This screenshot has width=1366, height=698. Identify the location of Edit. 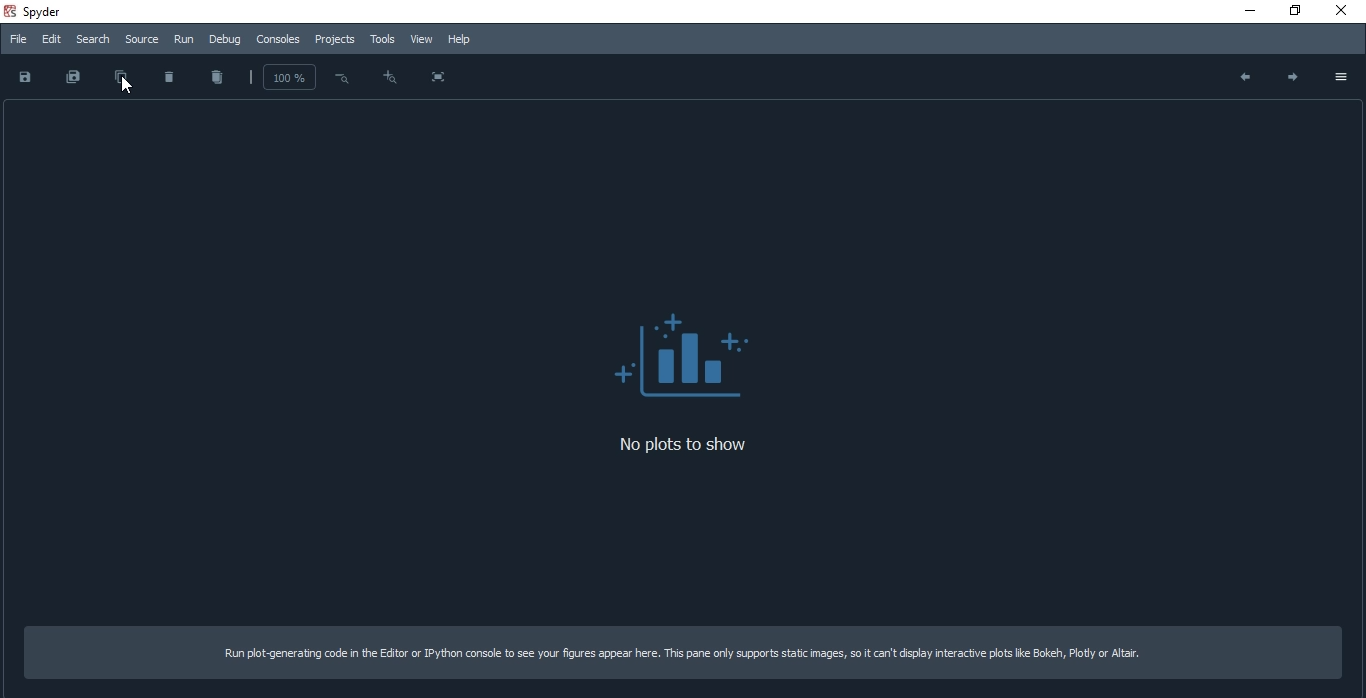
(50, 37).